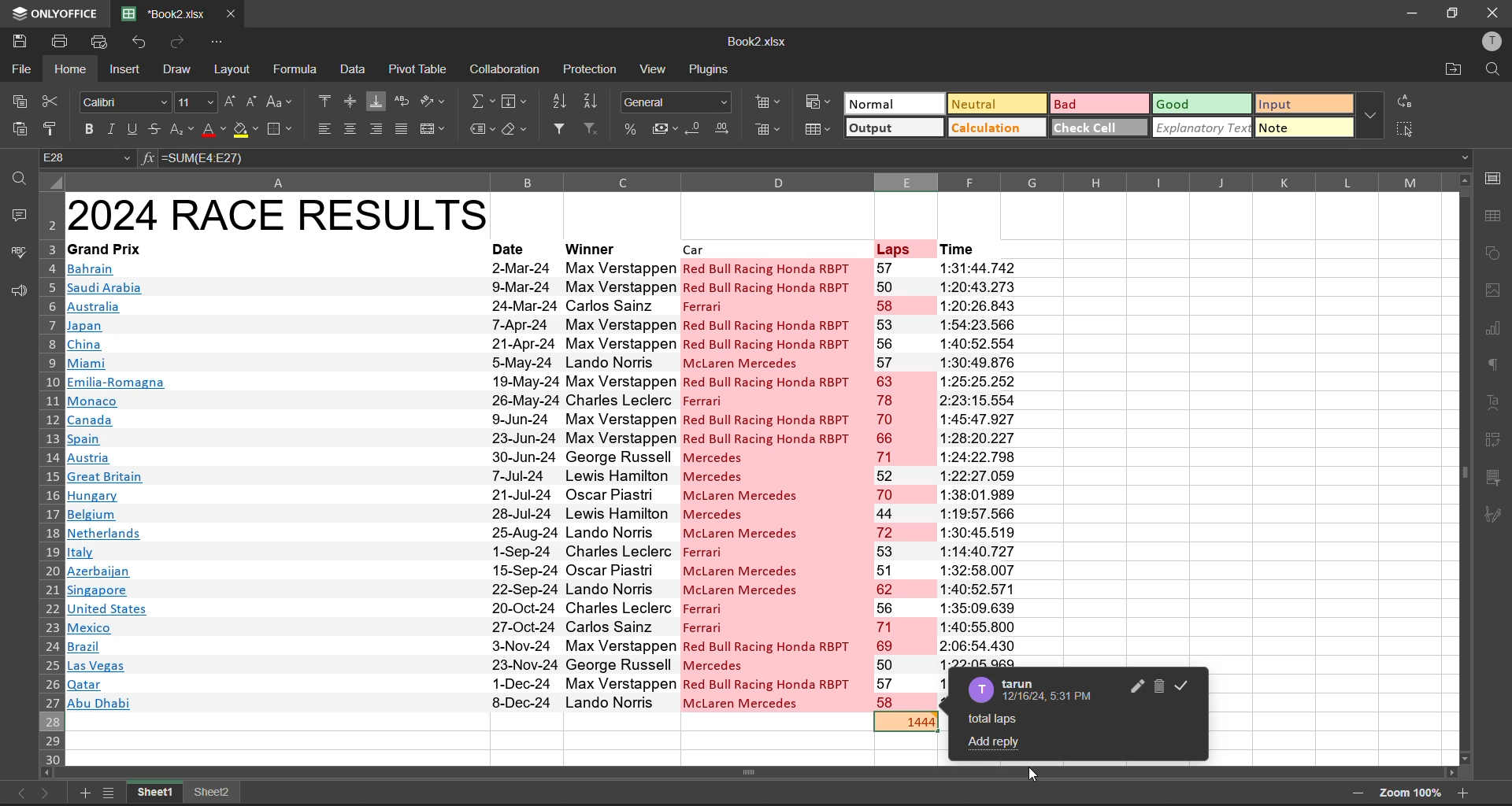 Image resolution: width=1512 pixels, height=806 pixels. Describe the element at coordinates (1492, 400) in the screenshot. I see `text` at that location.